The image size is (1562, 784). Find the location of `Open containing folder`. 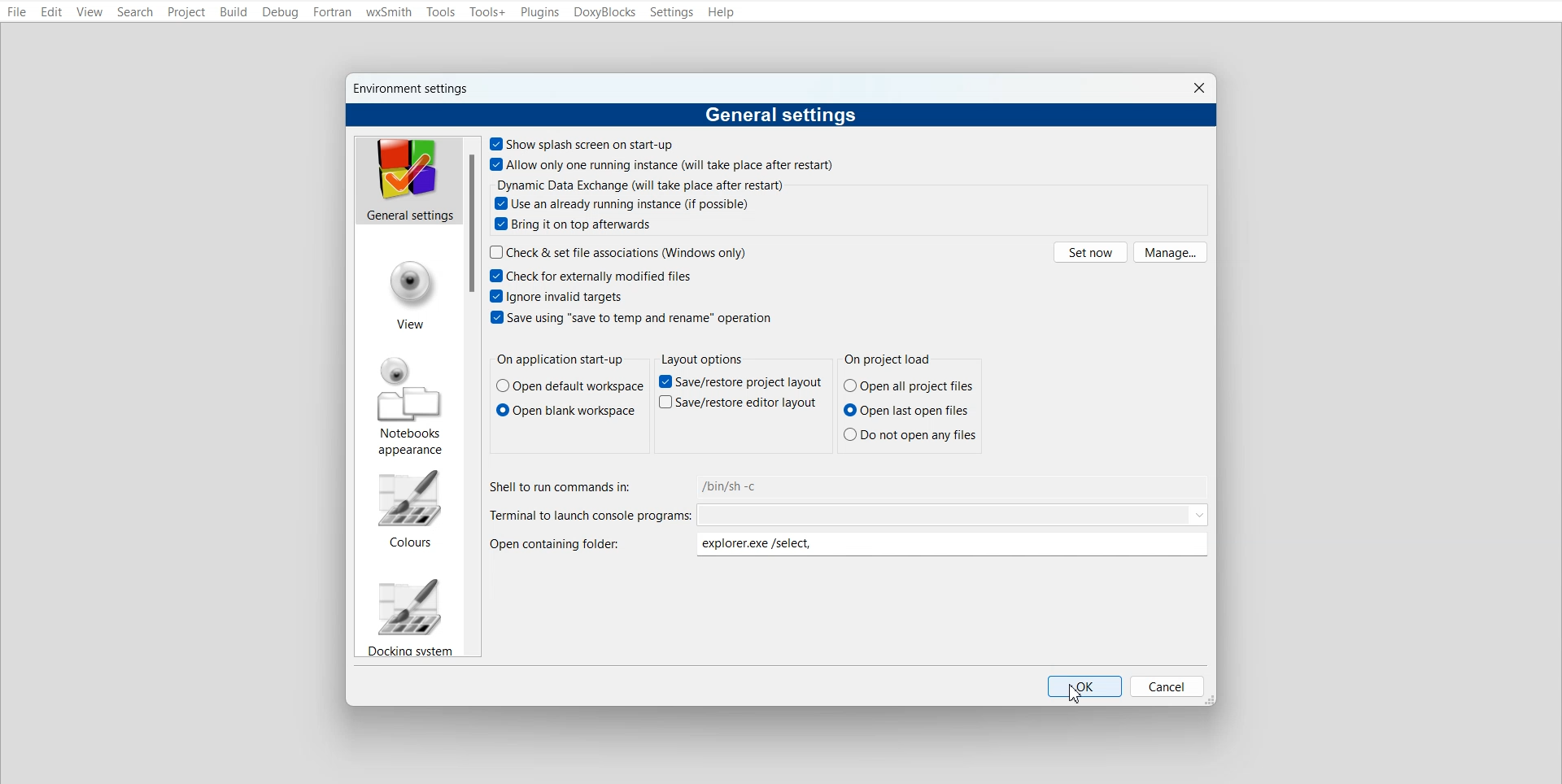

Open containing folder is located at coordinates (853, 545).